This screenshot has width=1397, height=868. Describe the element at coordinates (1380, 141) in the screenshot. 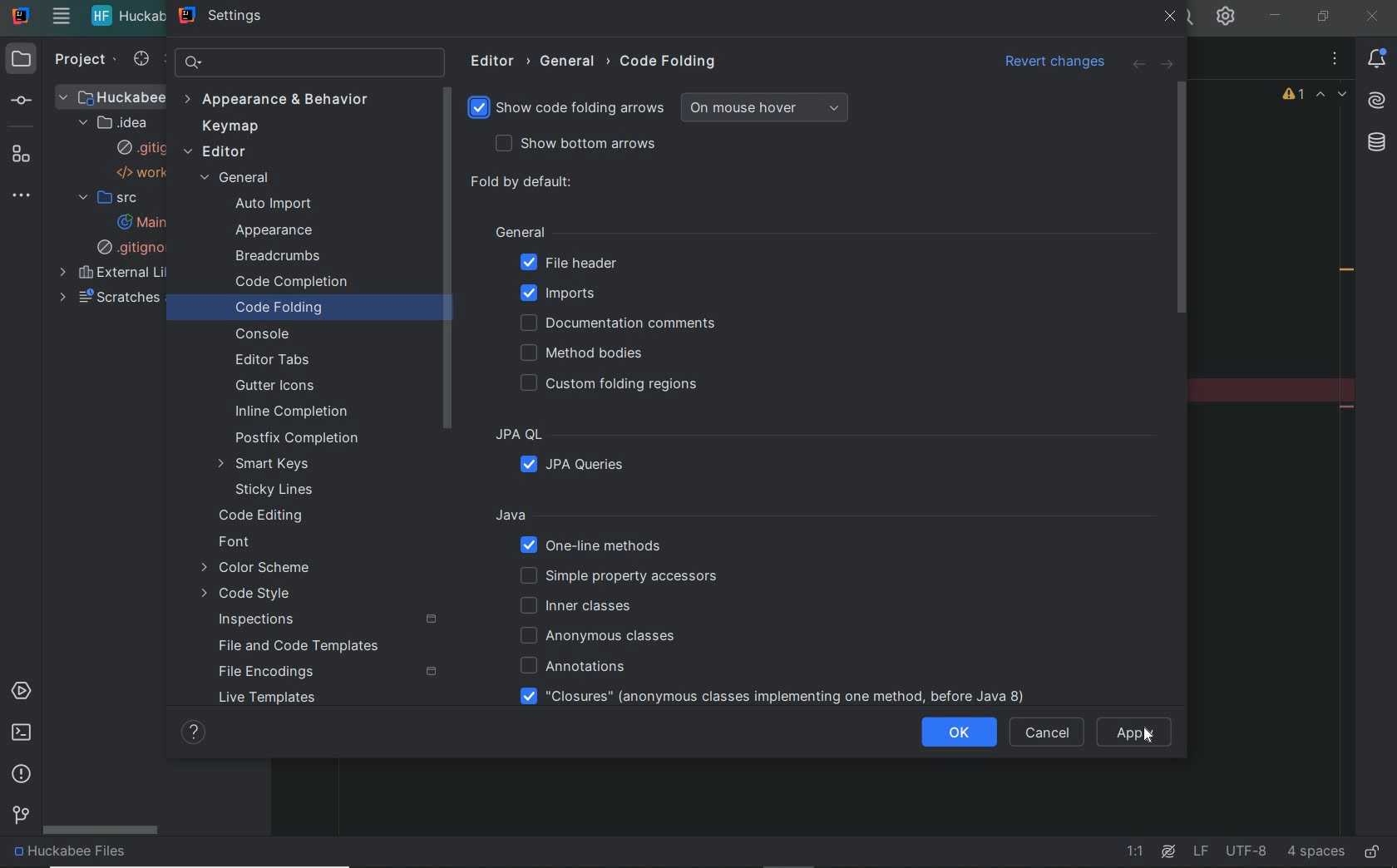

I see `database` at that location.